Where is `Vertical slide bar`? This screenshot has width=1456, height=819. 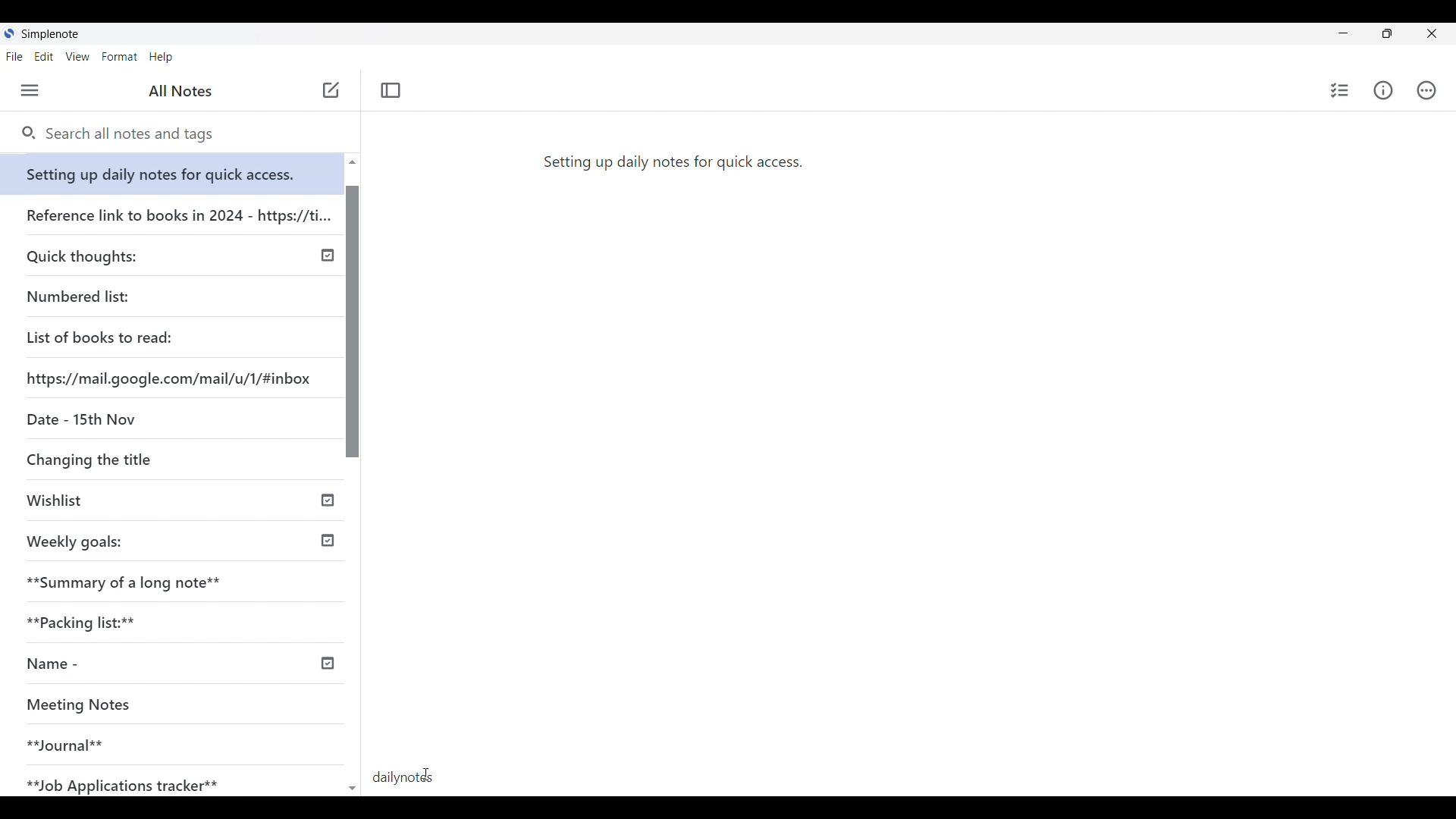
Vertical slide bar is located at coordinates (354, 482).